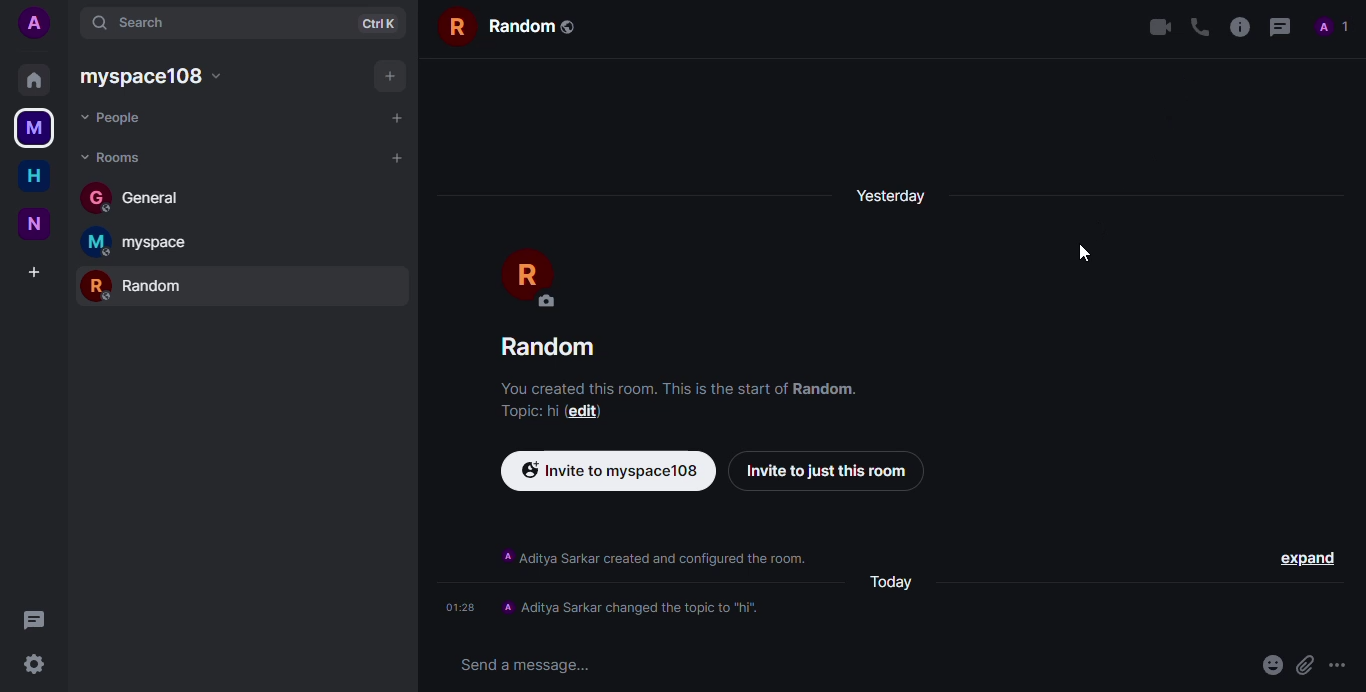  Describe the element at coordinates (1268, 661) in the screenshot. I see `emoji` at that location.